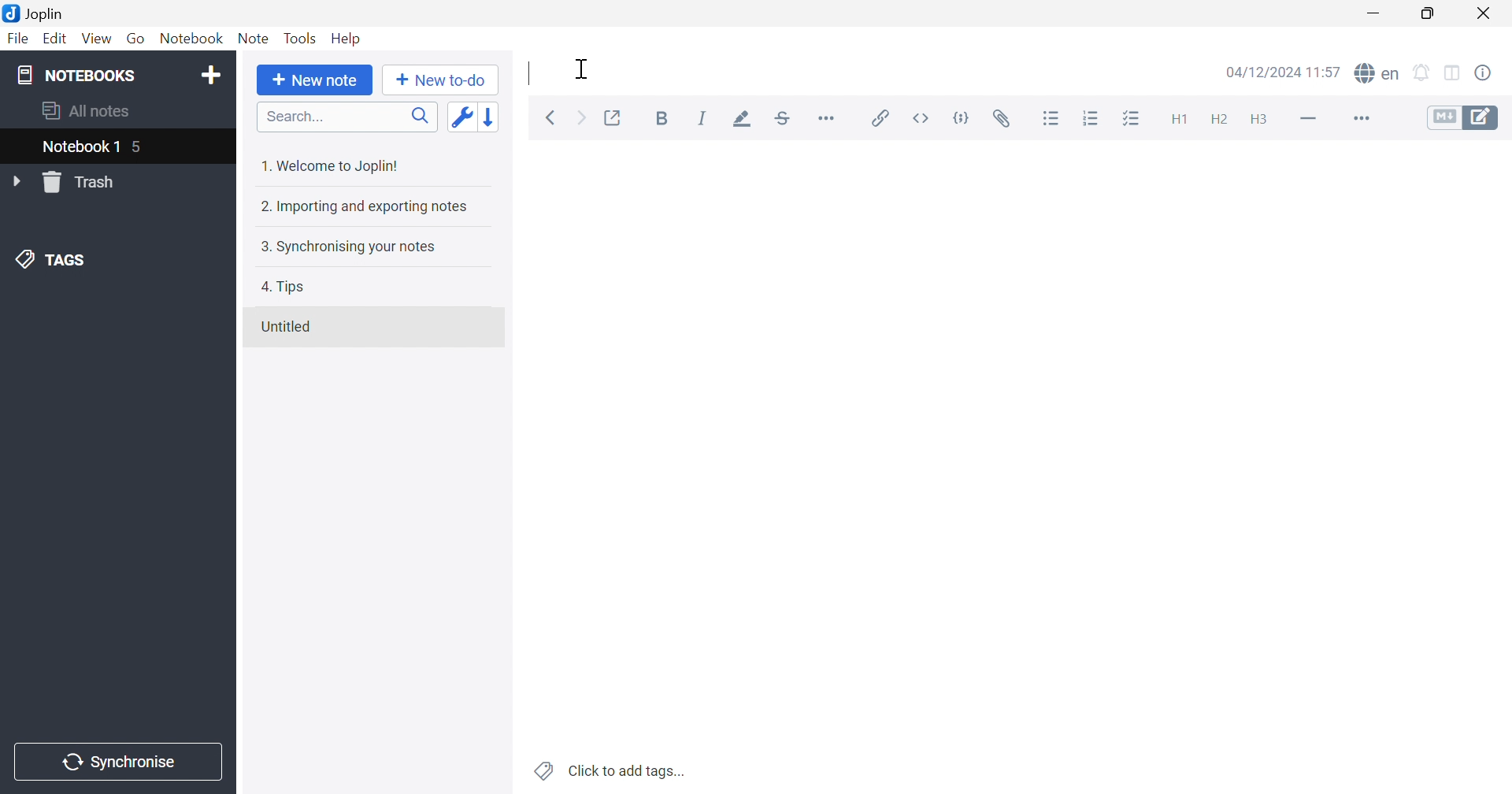 This screenshot has width=1512, height=794. I want to click on Back, so click(552, 117).